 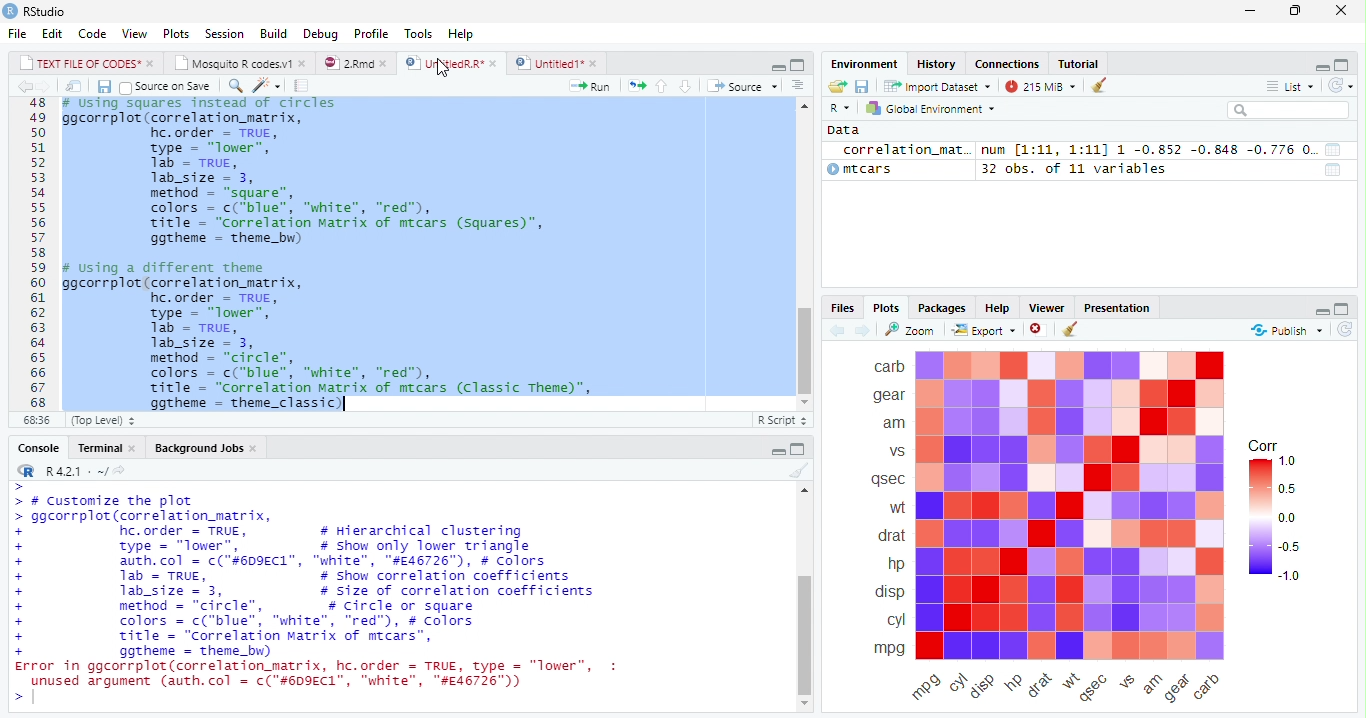 I want to click on load workspace, so click(x=836, y=86).